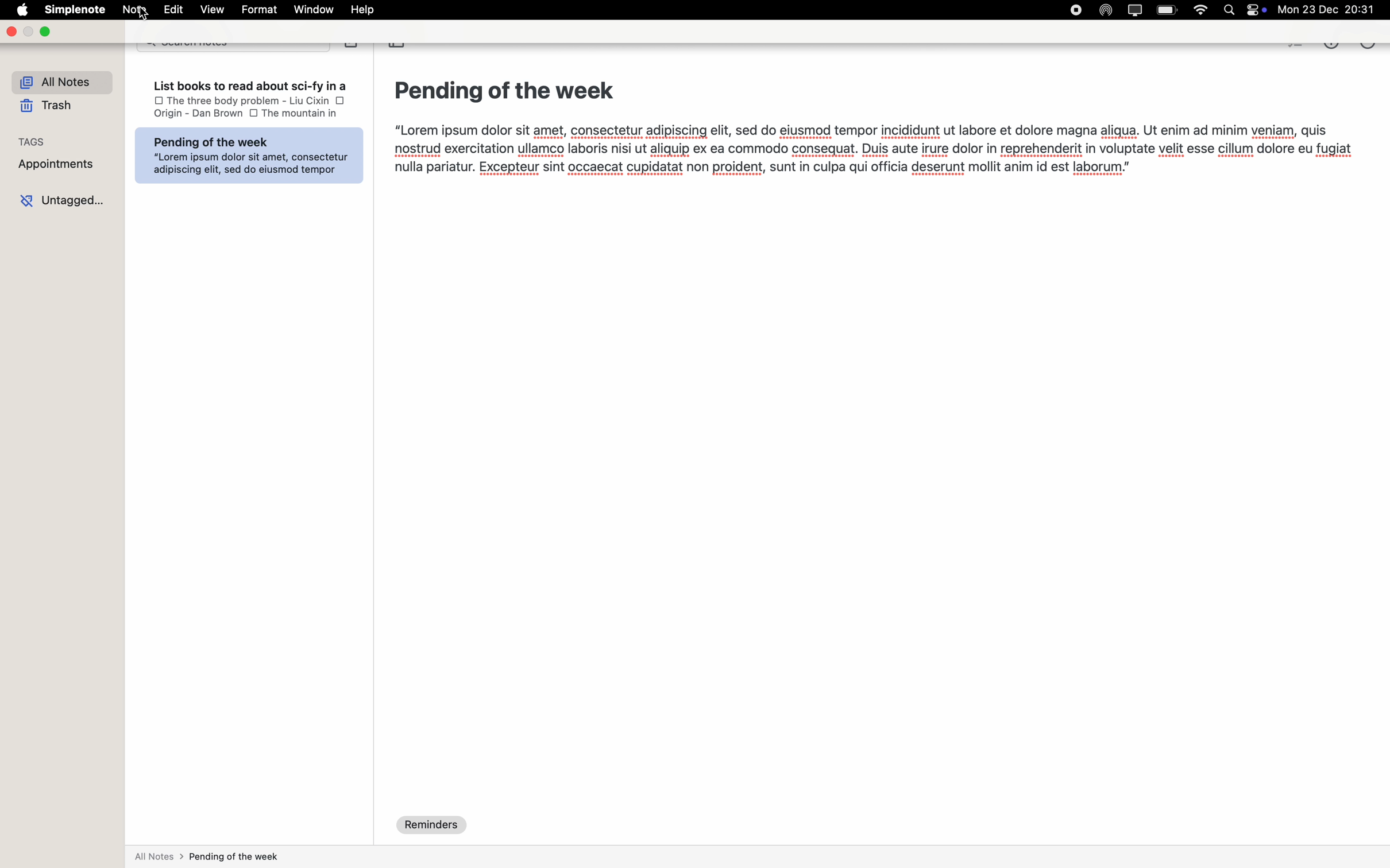 Image resolution: width=1390 pixels, height=868 pixels. I want to click on edit, so click(175, 10).